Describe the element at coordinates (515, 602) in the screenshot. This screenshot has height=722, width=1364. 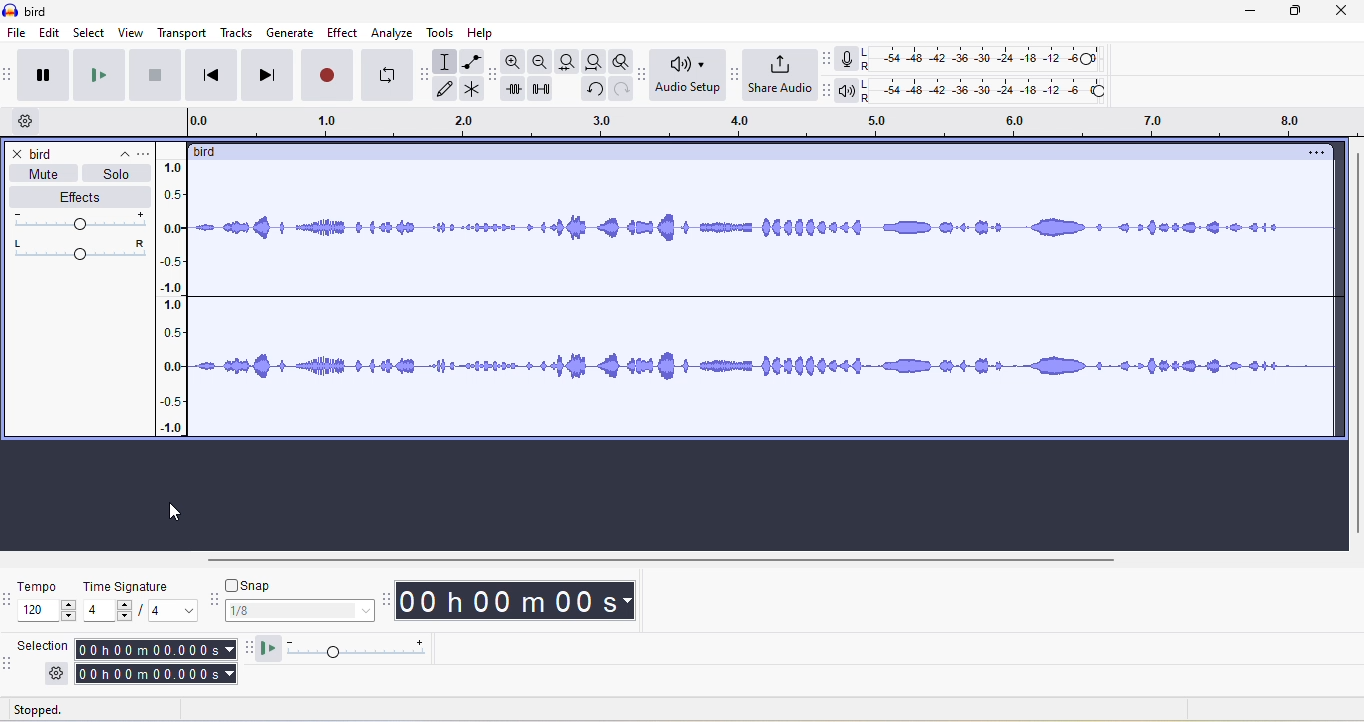
I see `timer` at that location.